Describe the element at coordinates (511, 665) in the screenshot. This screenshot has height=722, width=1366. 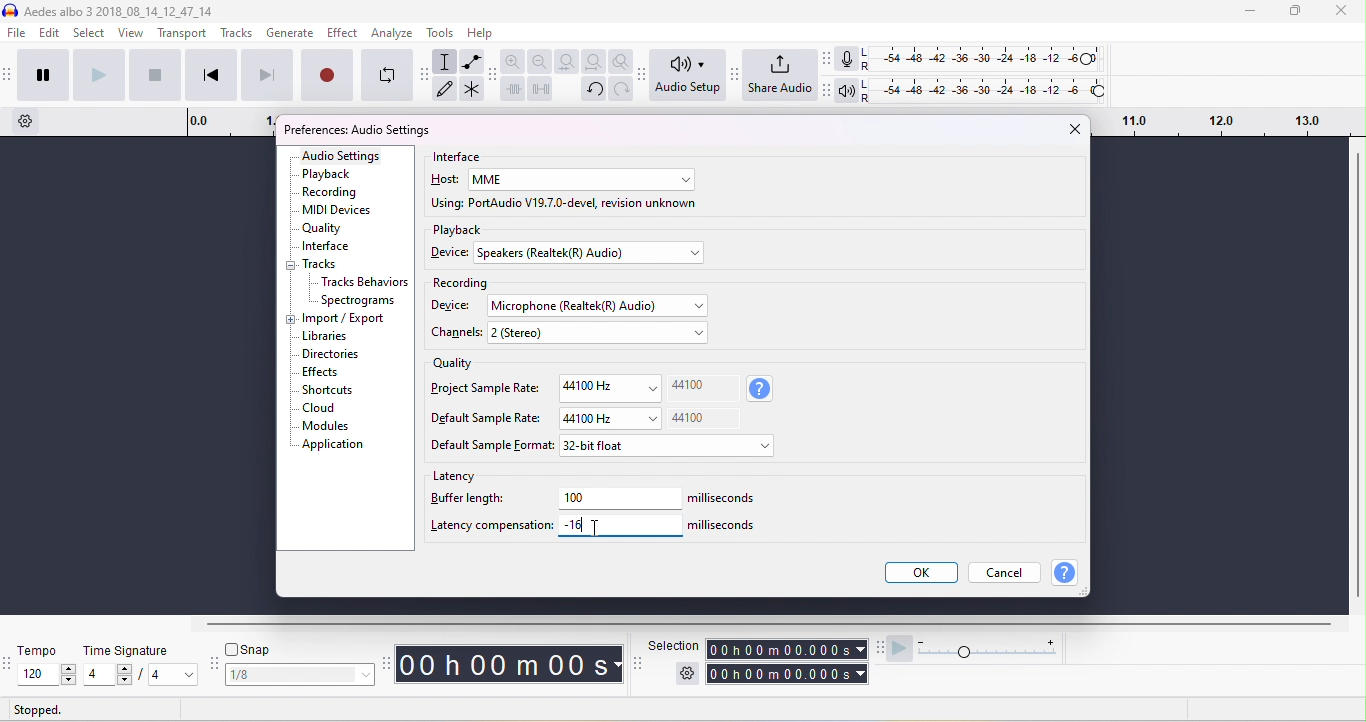
I see `audacity time` at that location.